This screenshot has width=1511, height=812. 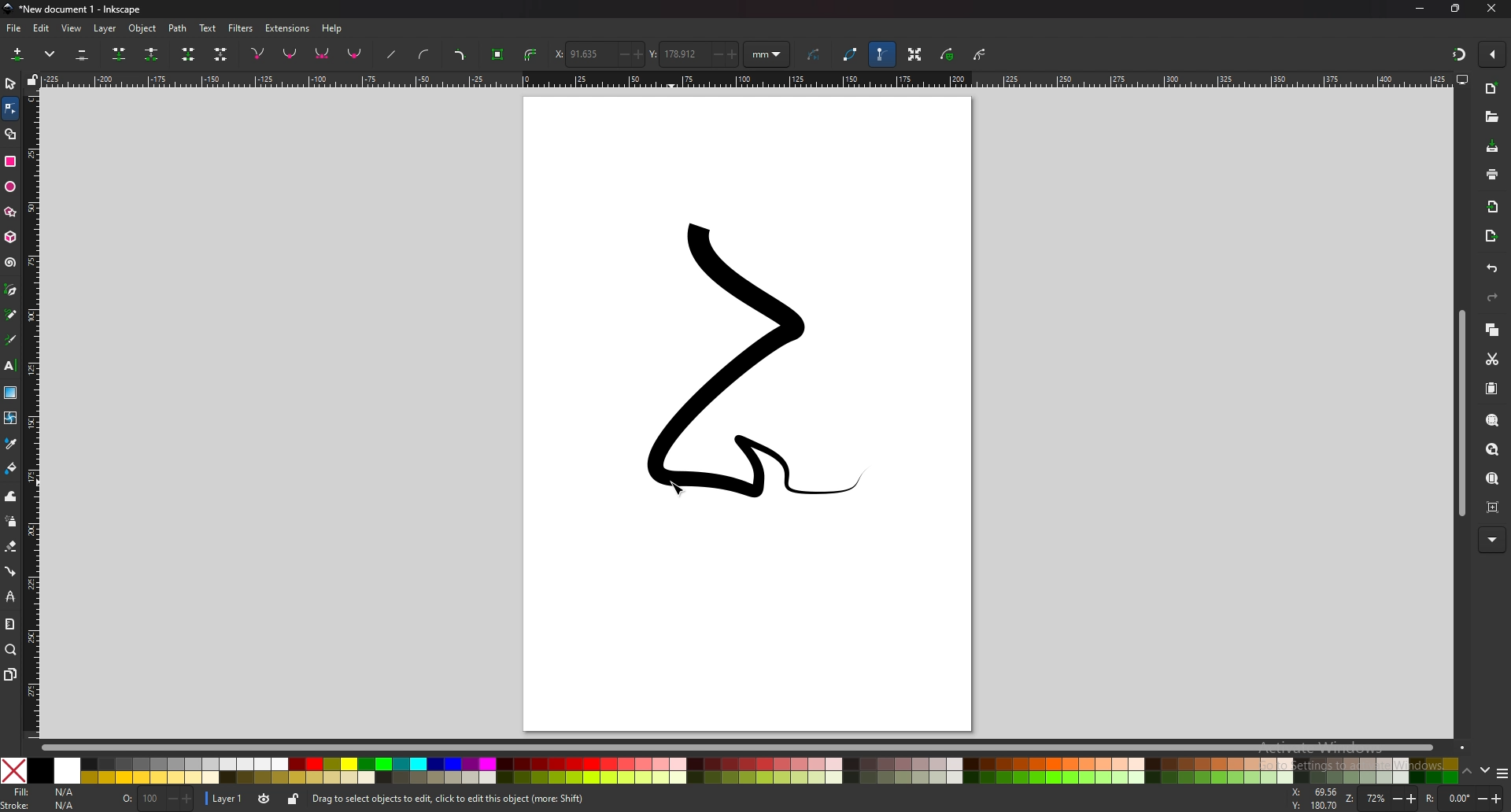 I want to click on minimize, so click(x=1420, y=9).